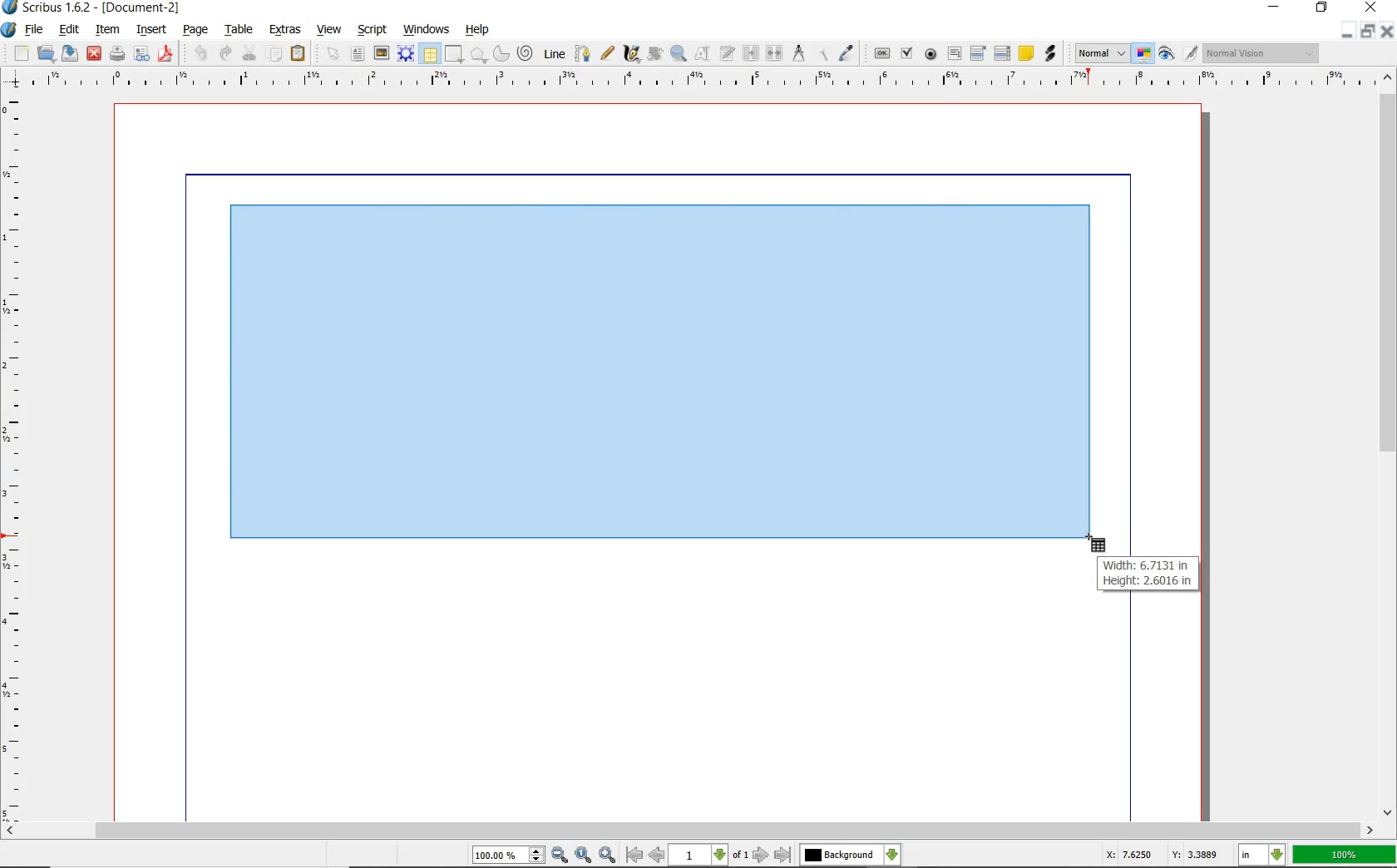 The height and width of the screenshot is (868, 1397). Describe the element at coordinates (708, 81) in the screenshot. I see `ruler` at that location.